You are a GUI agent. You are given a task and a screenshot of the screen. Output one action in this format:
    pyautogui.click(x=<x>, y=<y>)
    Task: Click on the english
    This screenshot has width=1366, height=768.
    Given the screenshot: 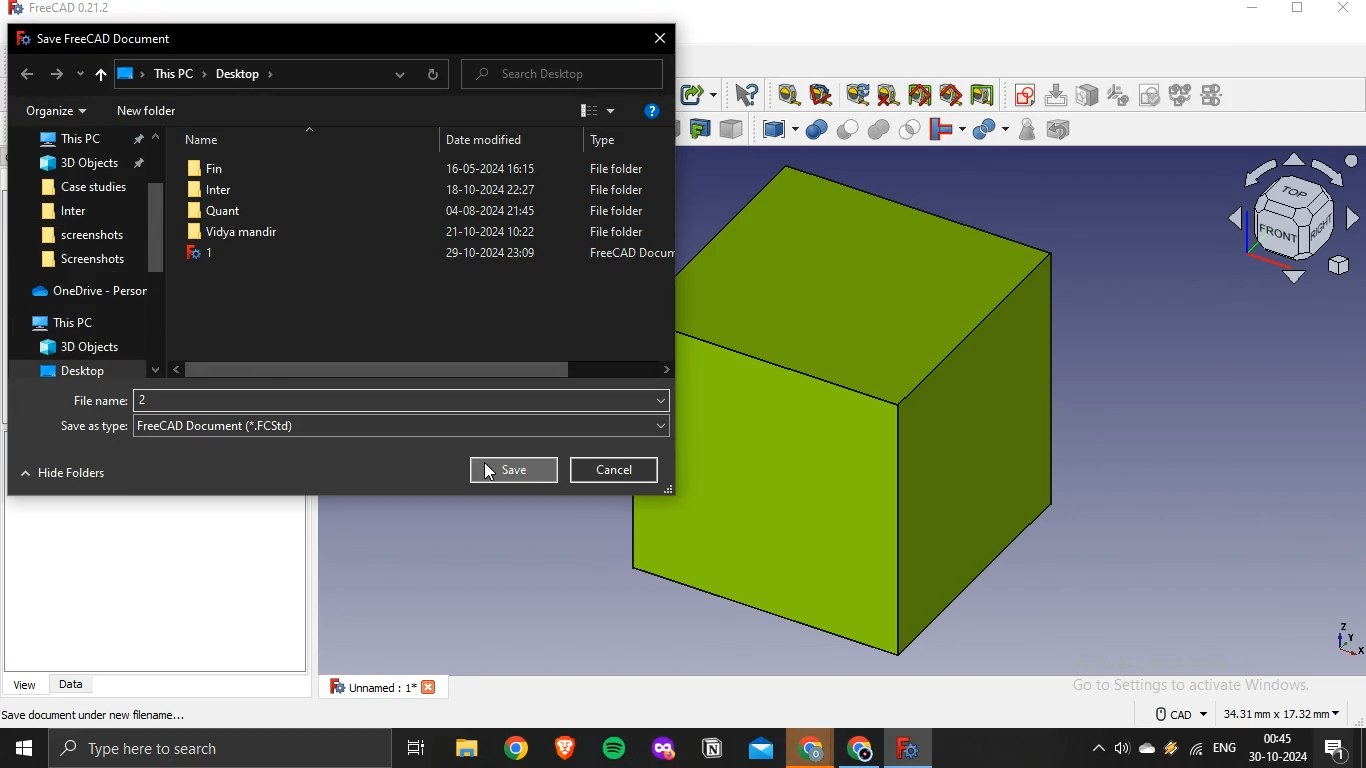 What is the action you would take?
    pyautogui.click(x=1227, y=751)
    